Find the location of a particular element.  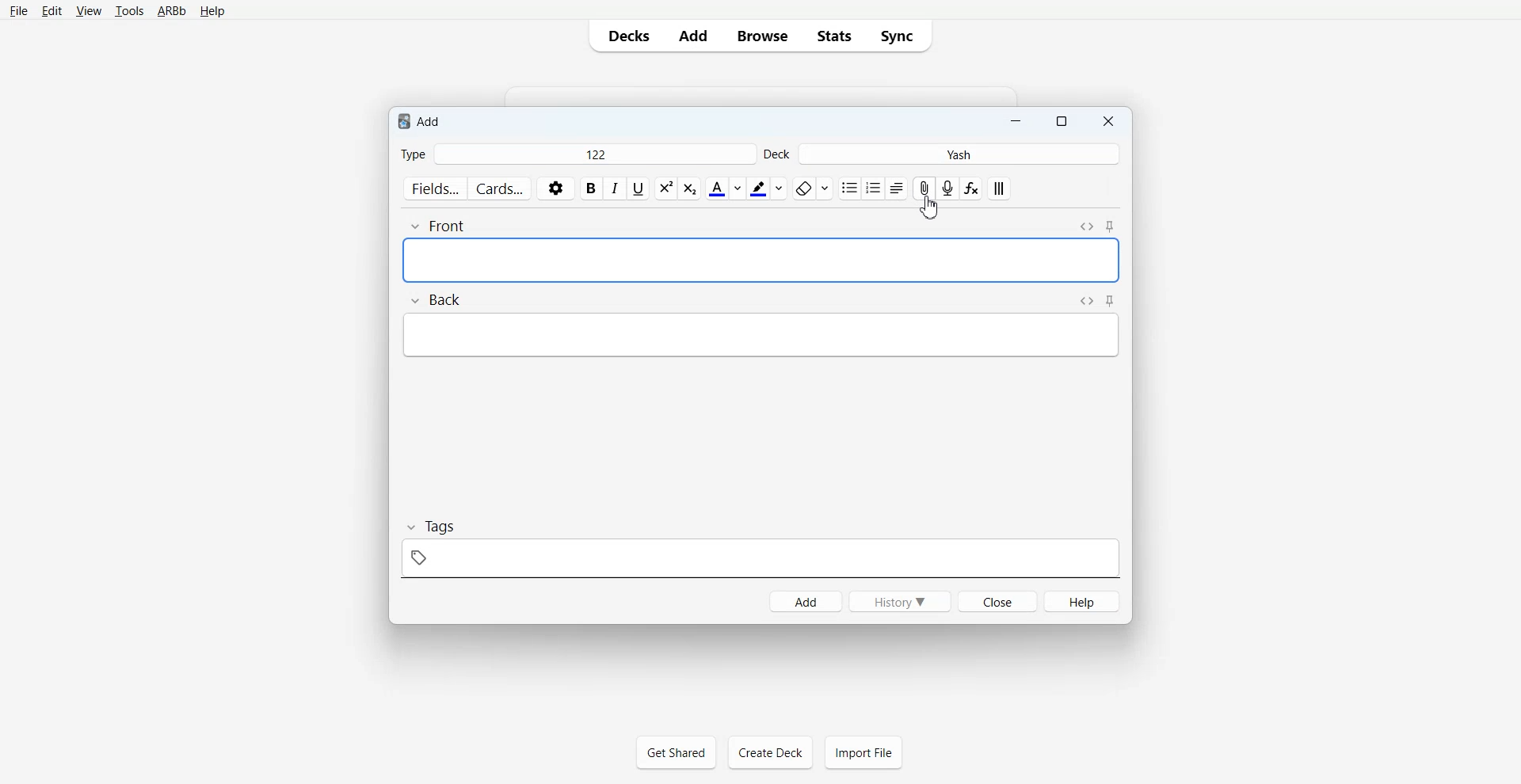

Deck is located at coordinates (941, 154).